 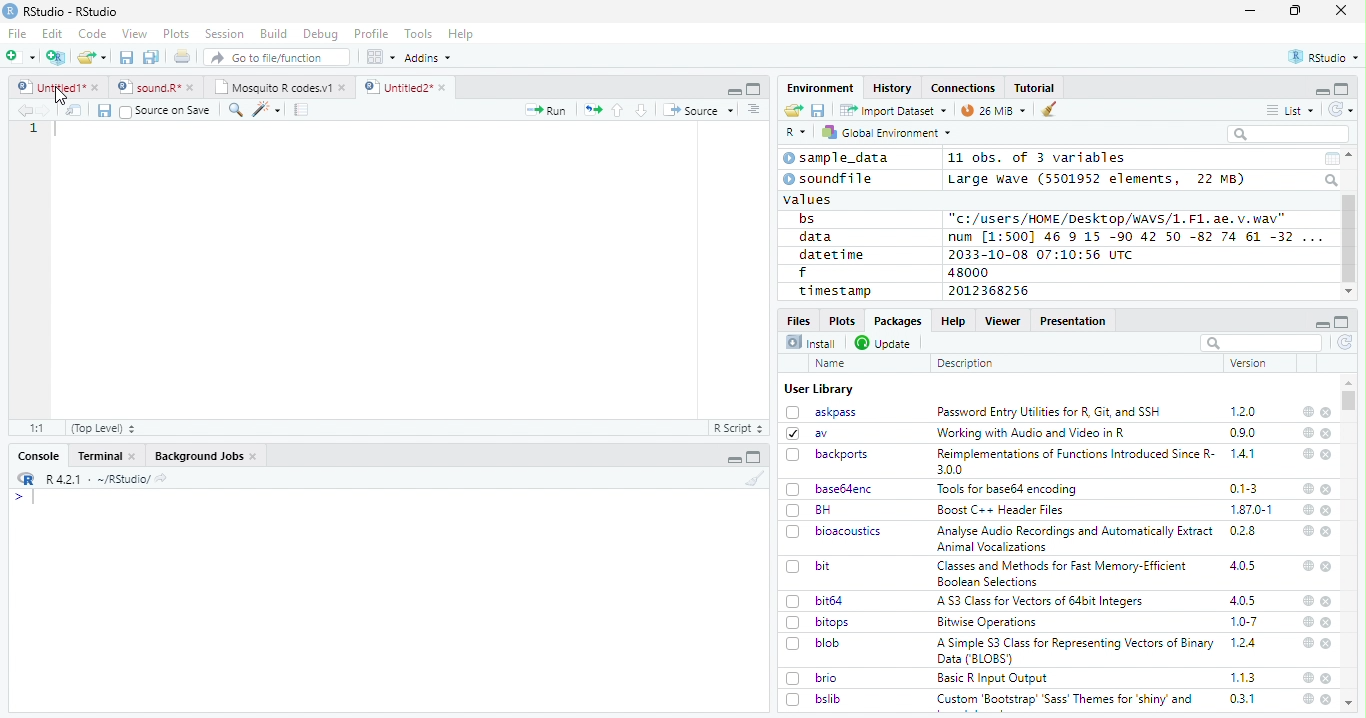 I want to click on Tutorial, so click(x=1036, y=88).